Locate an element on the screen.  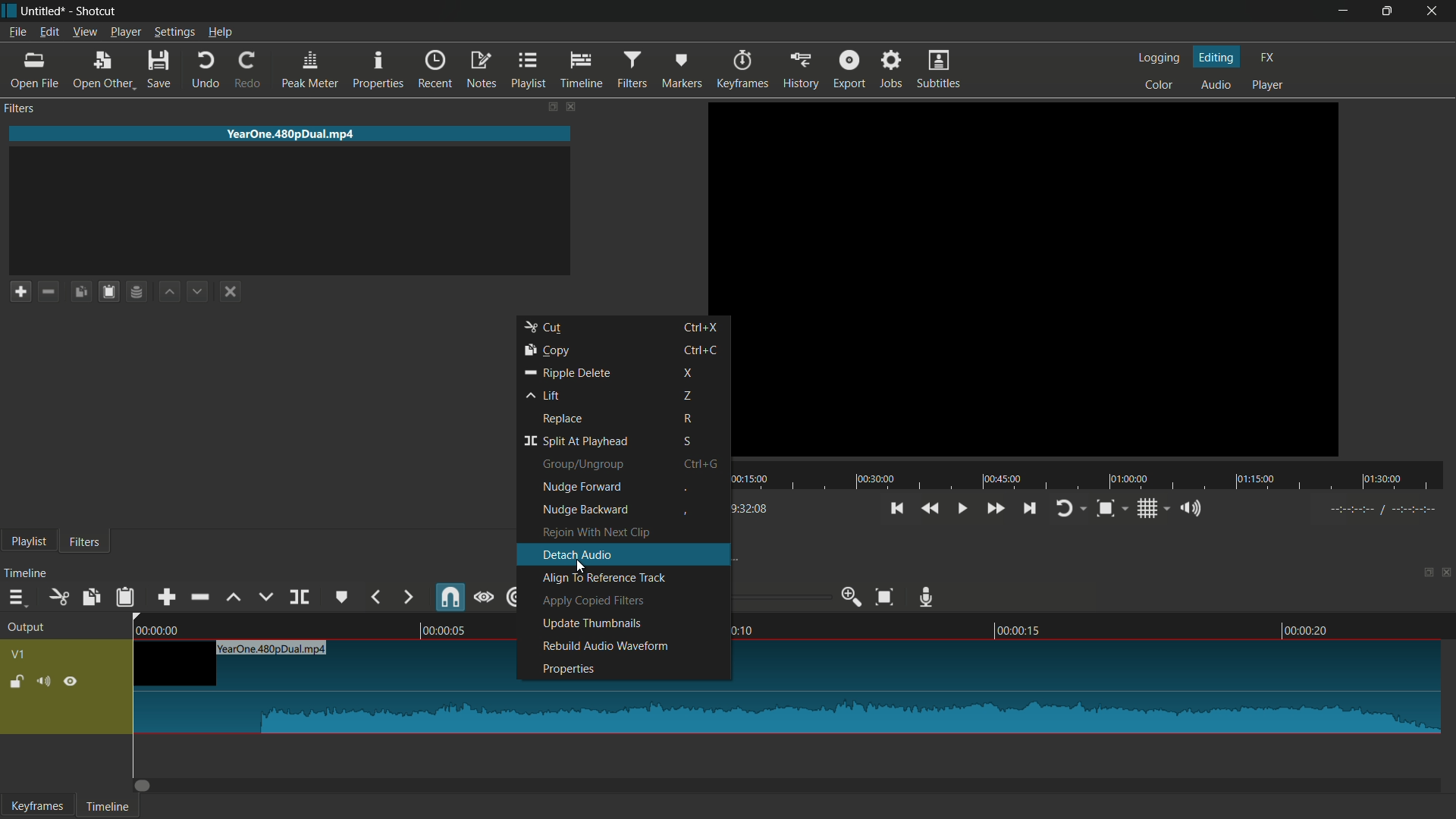
total time is located at coordinates (739, 510).